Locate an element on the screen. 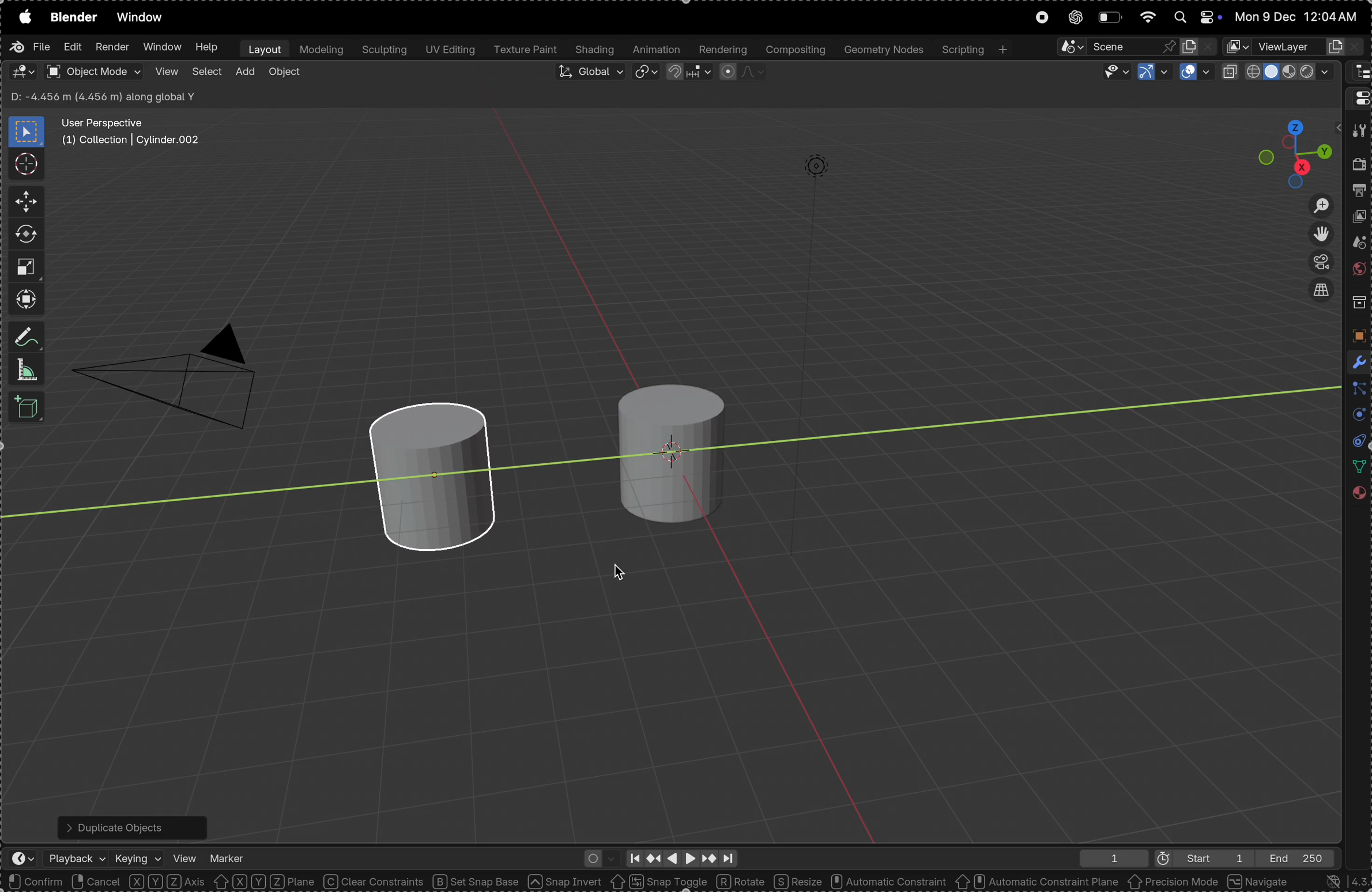 The width and height of the screenshot is (1372, 892). help is located at coordinates (207, 47).